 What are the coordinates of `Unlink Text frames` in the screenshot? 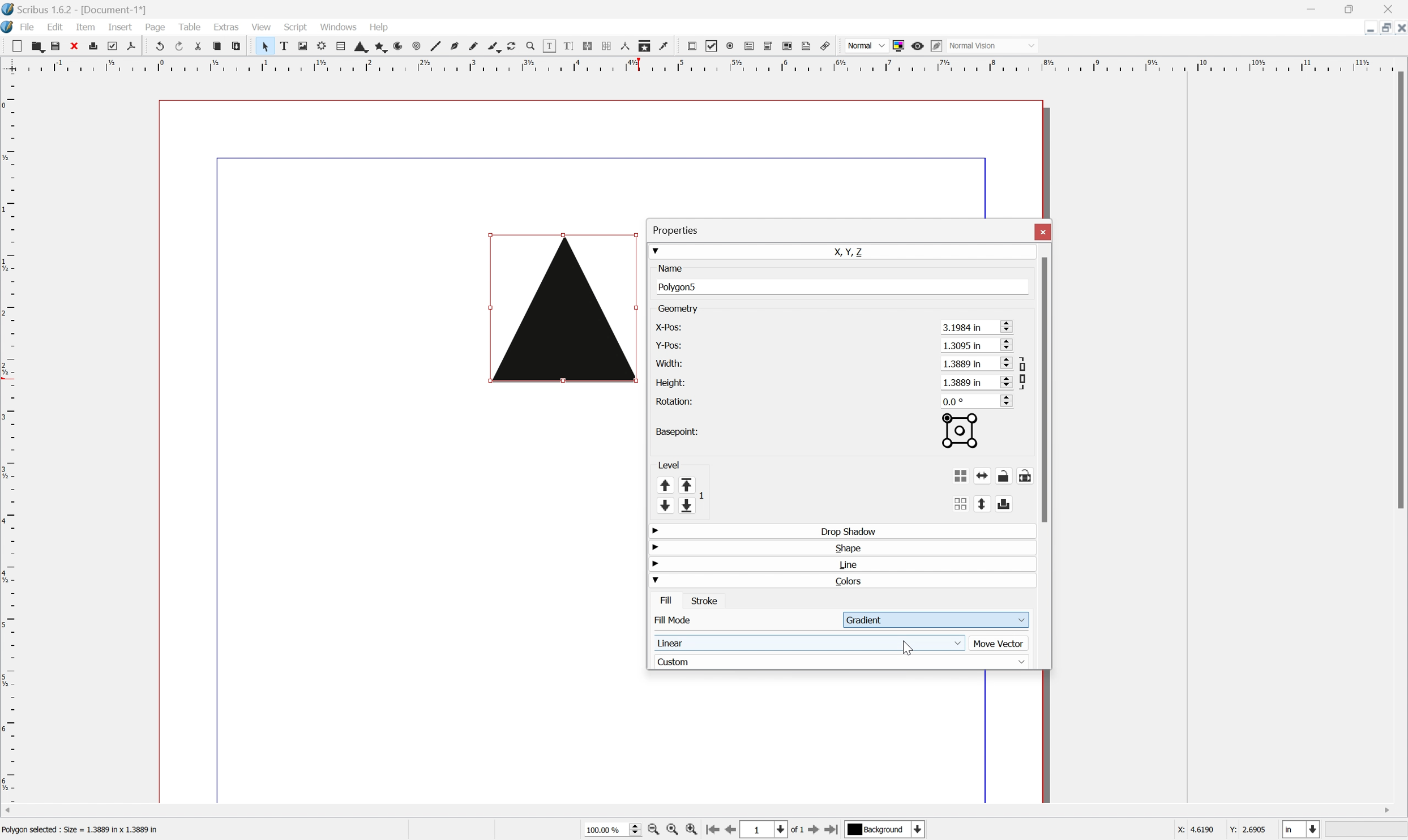 It's located at (605, 46).